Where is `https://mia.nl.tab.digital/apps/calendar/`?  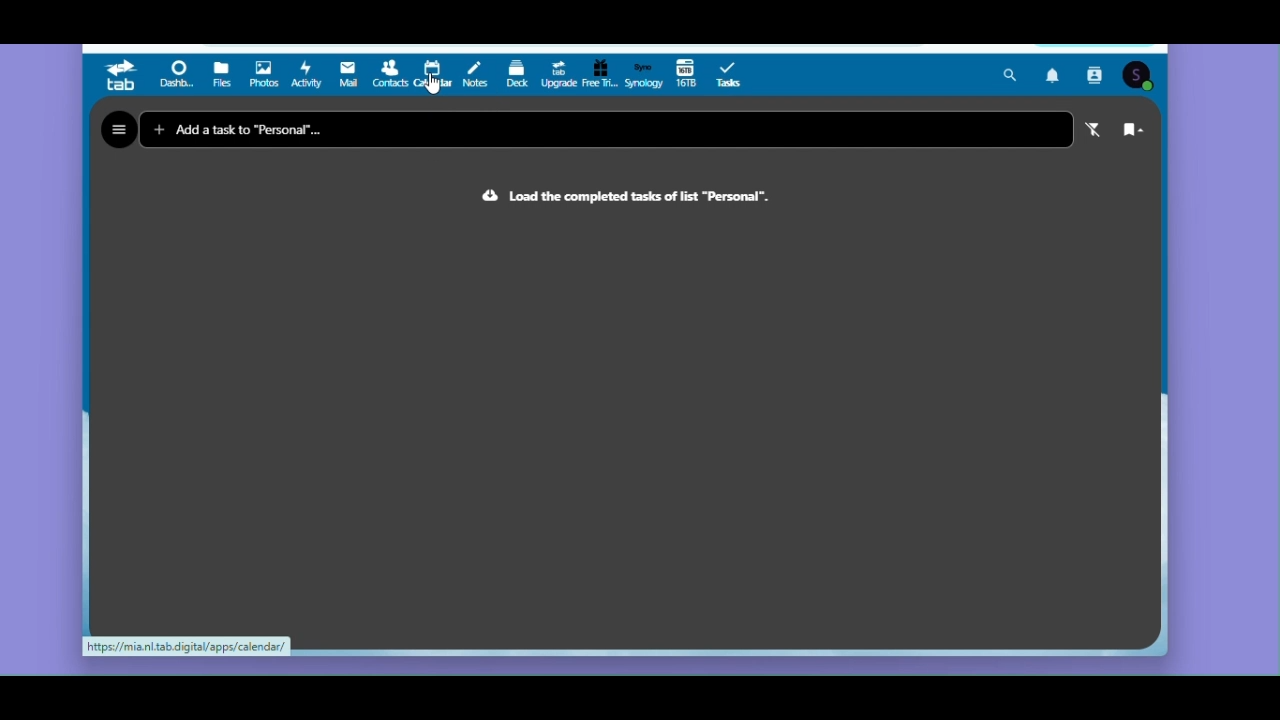 https://mia.nl.tab.digital/apps/calendar/ is located at coordinates (187, 648).